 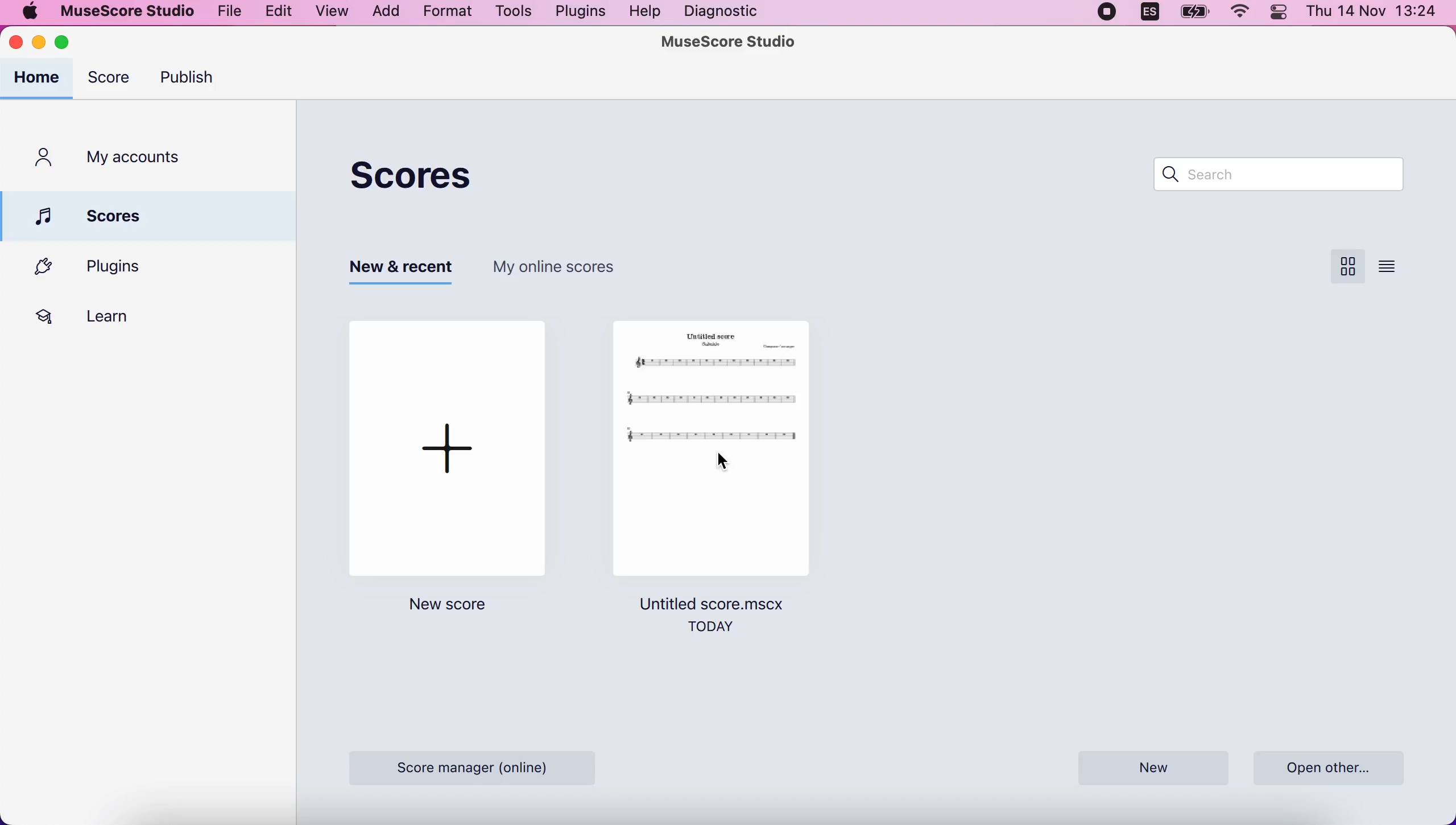 What do you see at coordinates (226, 12) in the screenshot?
I see `file` at bounding box center [226, 12].